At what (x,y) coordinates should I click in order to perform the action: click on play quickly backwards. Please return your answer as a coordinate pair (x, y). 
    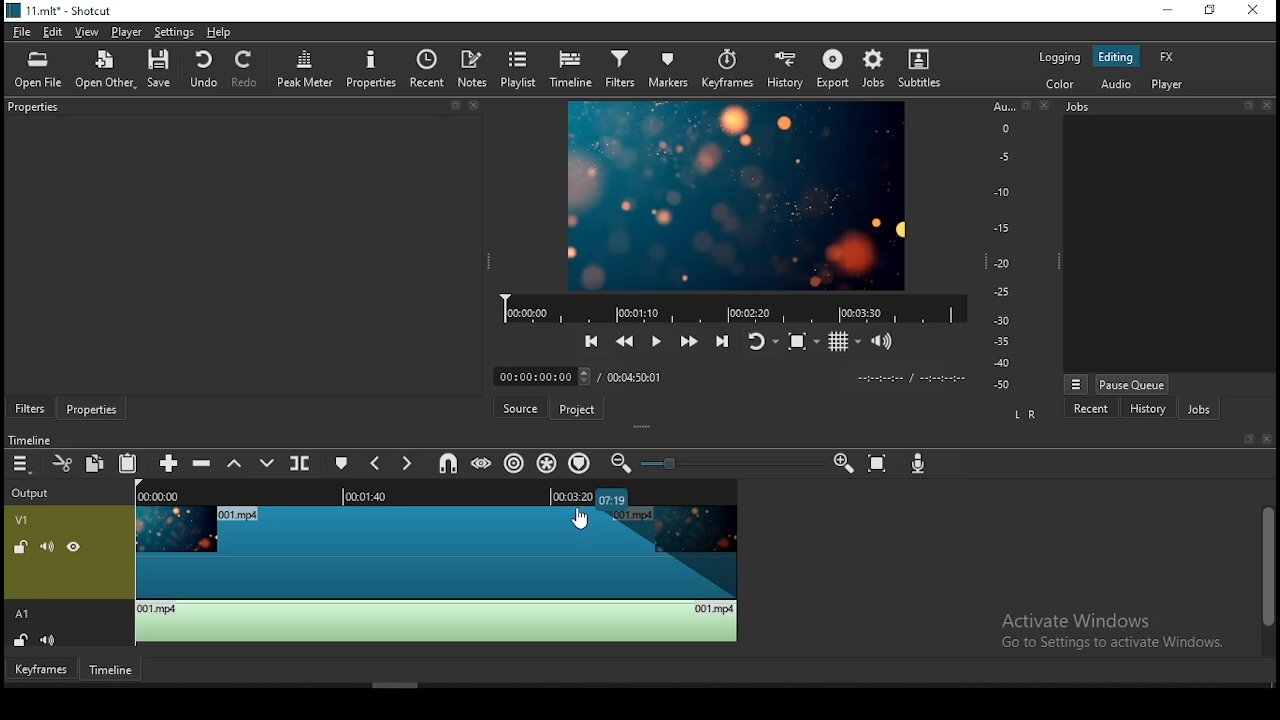
    Looking at the image, I should click on (623, 342).